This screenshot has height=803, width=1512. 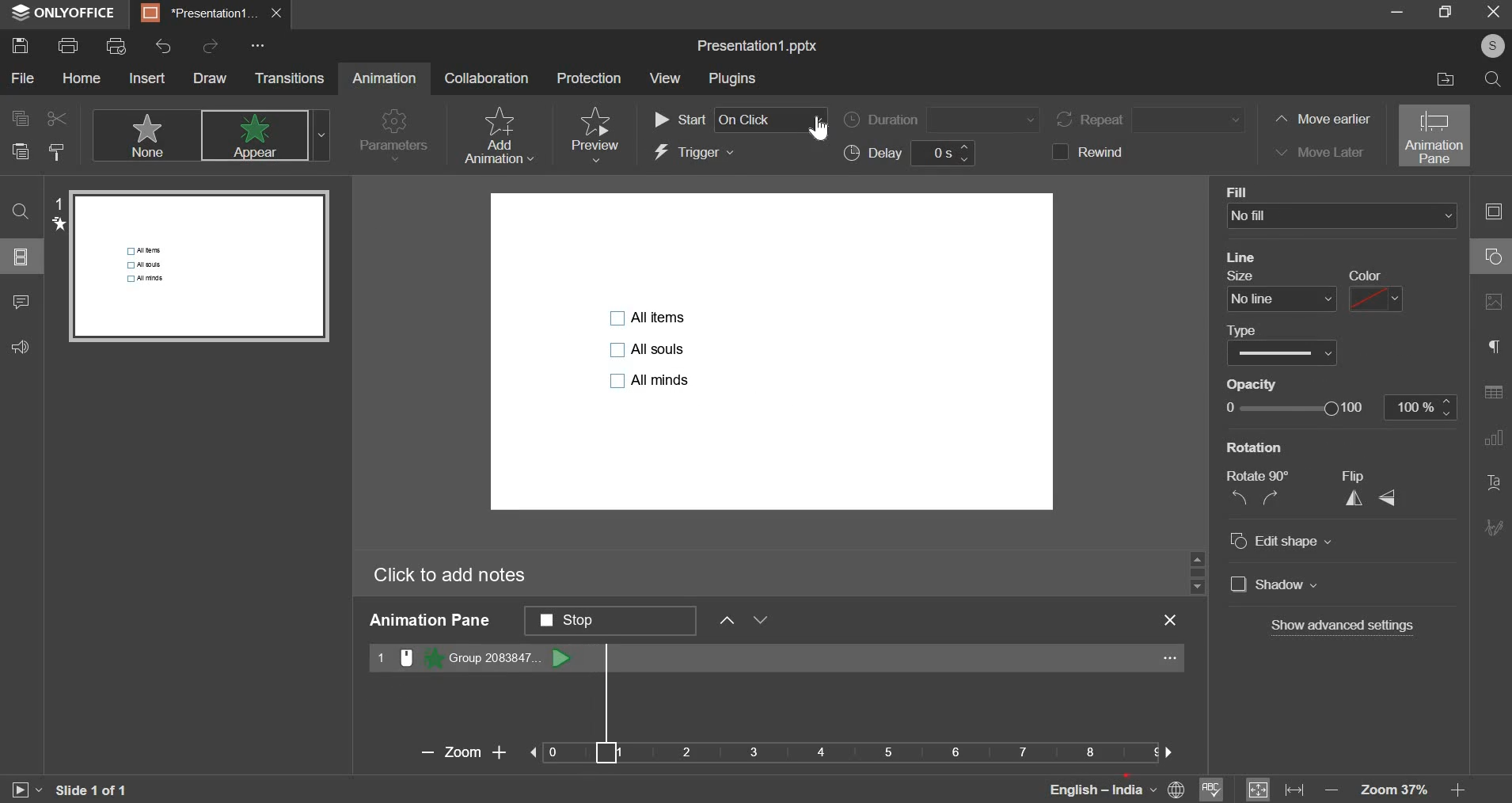 I want to click on add animation, so click(x=497, y=135).